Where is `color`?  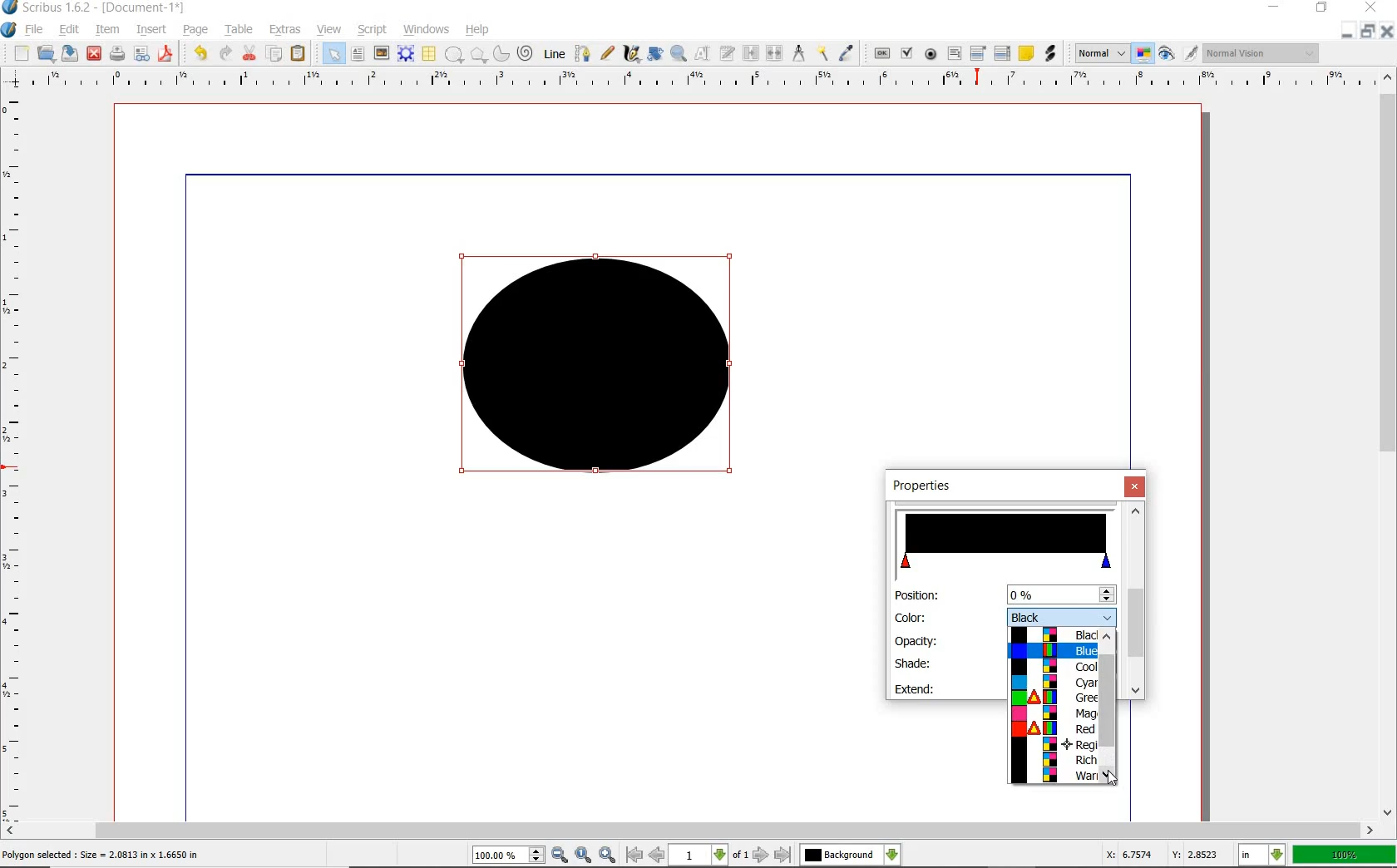
color is located at coordinates (911, 617).